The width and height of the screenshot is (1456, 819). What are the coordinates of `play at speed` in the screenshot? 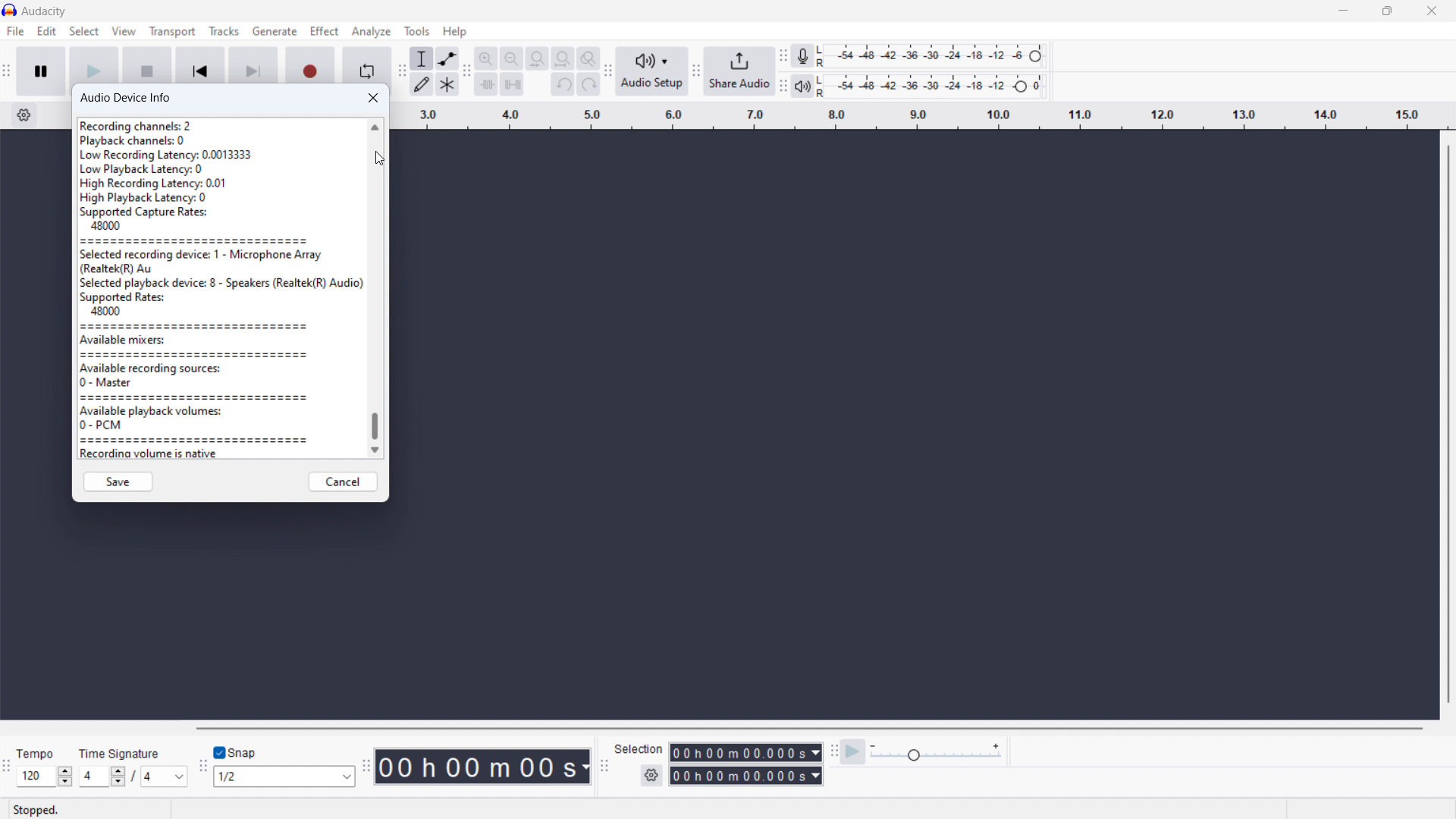 It's located at (854, 752).